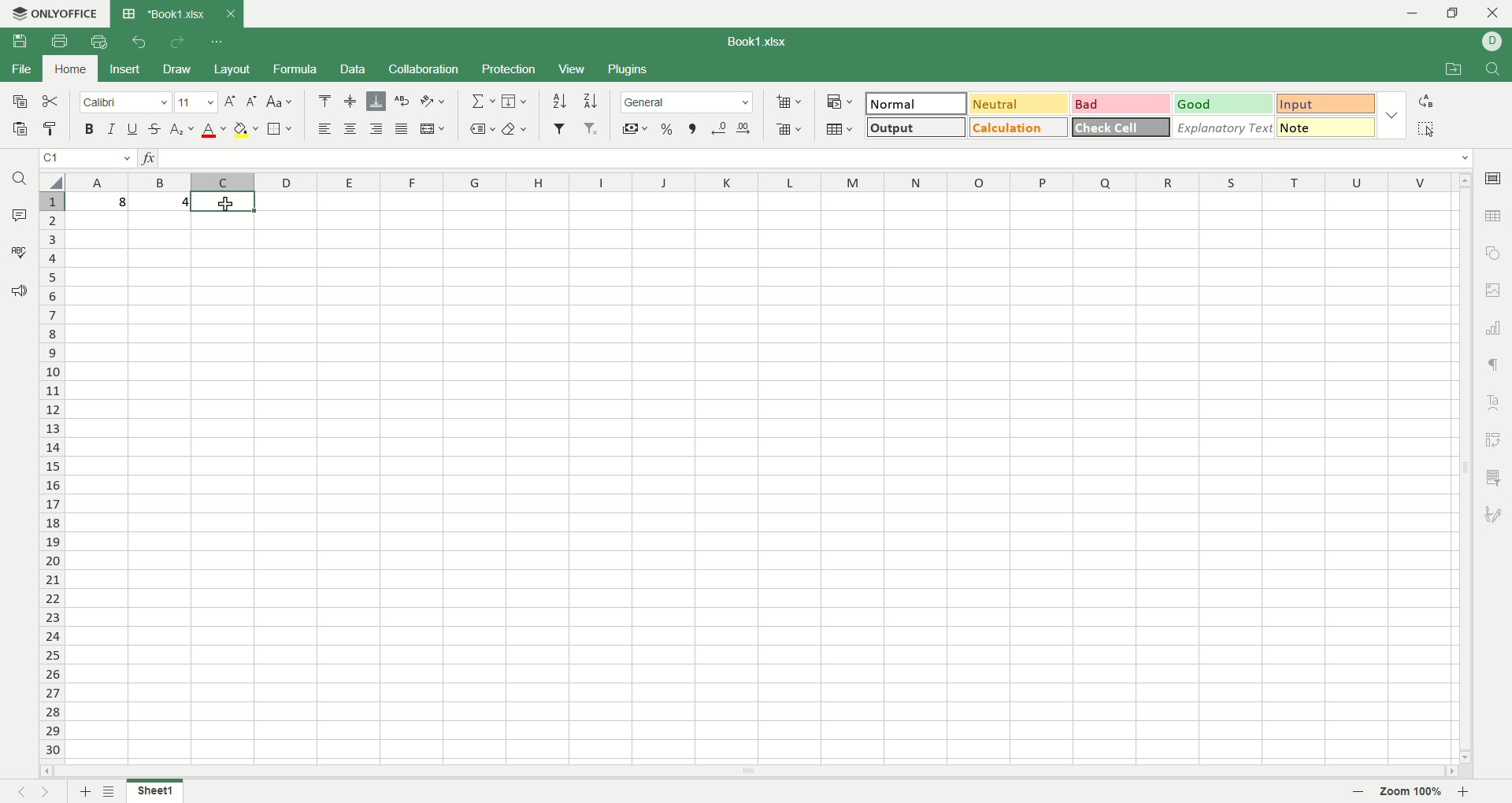 The width and height of the screenshot is (1512, 803). What do you see at coordinates (1224, 104) in the screenshot?
I see `good` at bounding box center [1224, 104].